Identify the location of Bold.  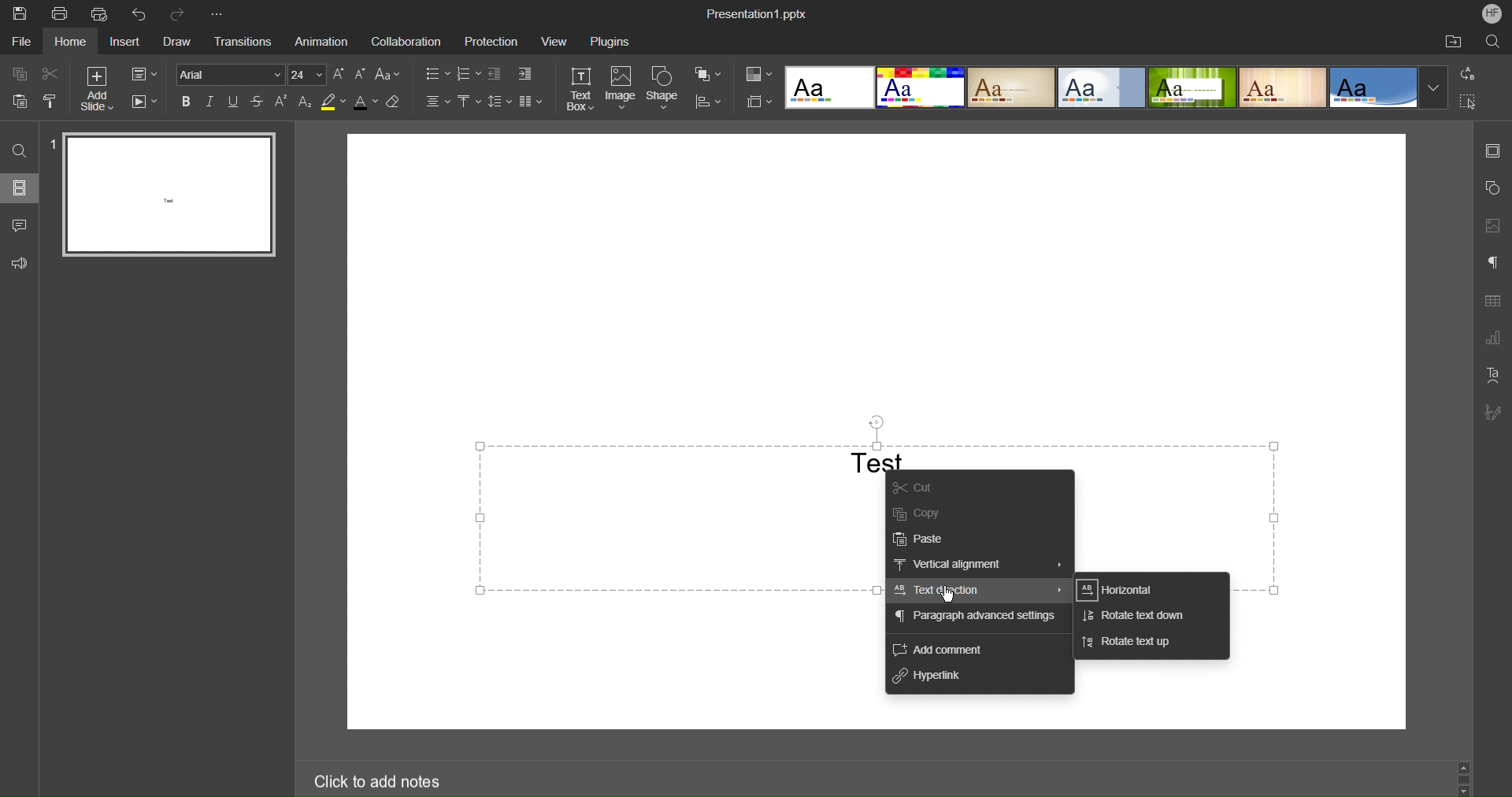
(187, 101).